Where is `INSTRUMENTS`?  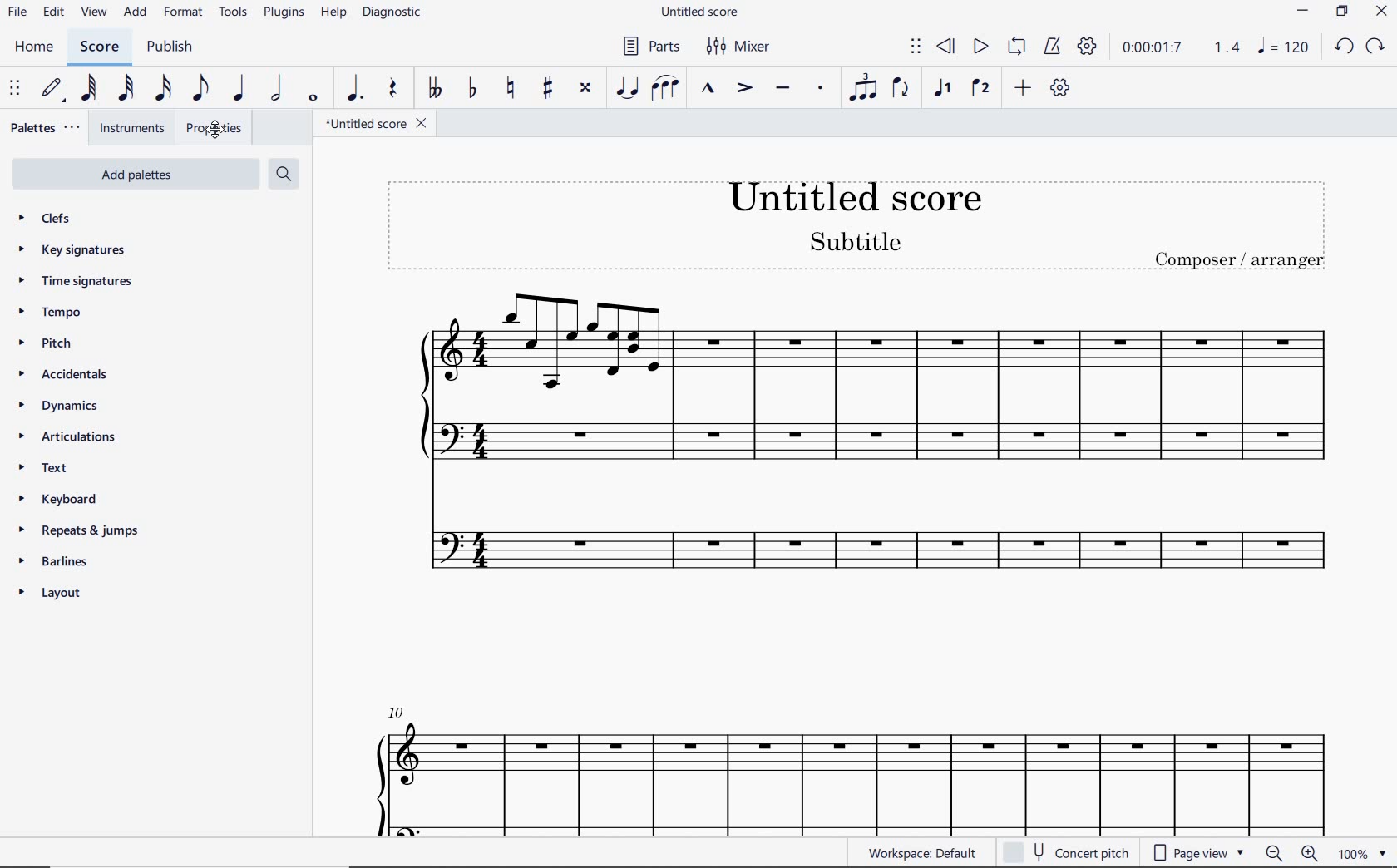
INSTRUMENTS is located at coordinates (131, 126).